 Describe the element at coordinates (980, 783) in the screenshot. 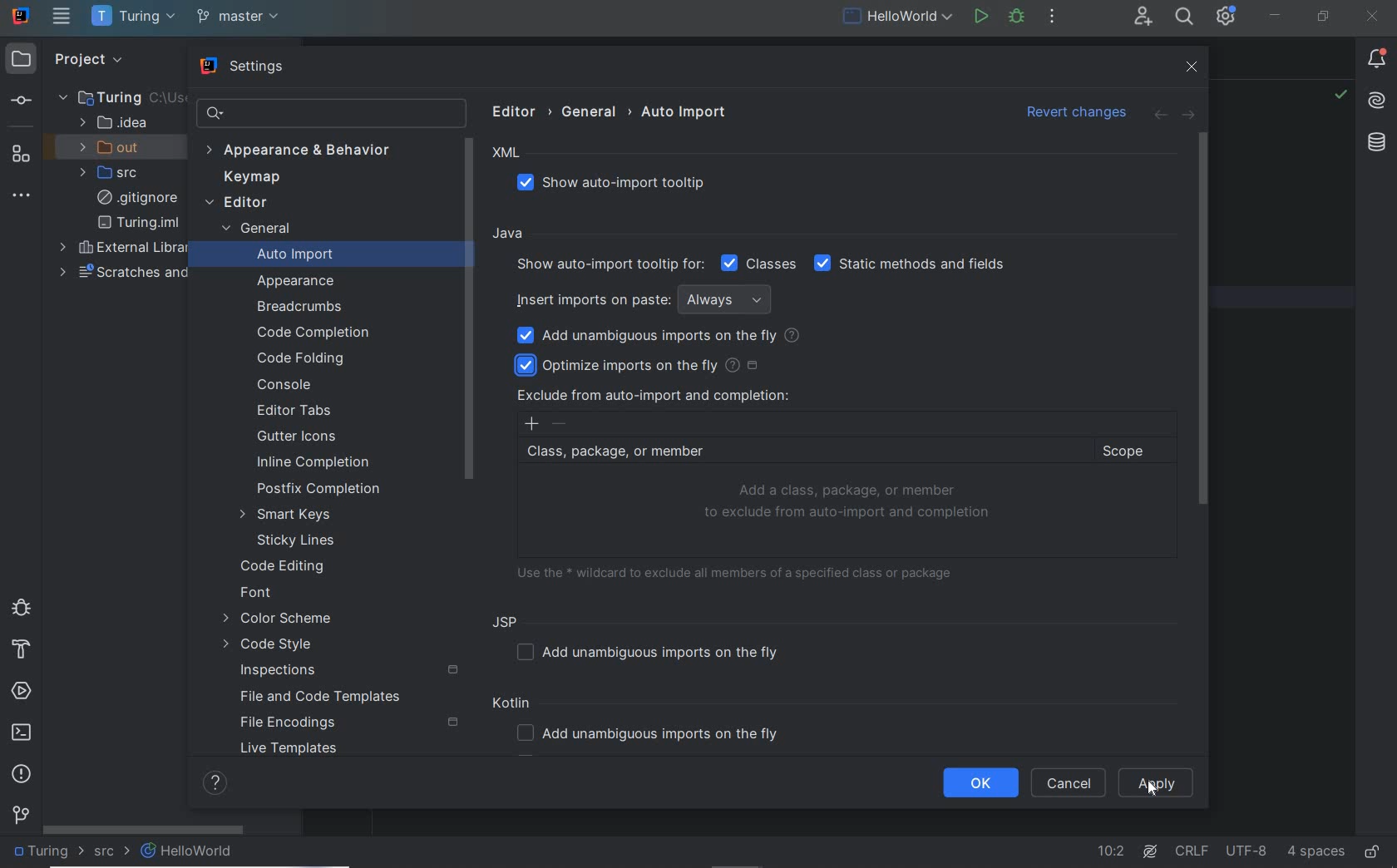

I see `OK` at that location.